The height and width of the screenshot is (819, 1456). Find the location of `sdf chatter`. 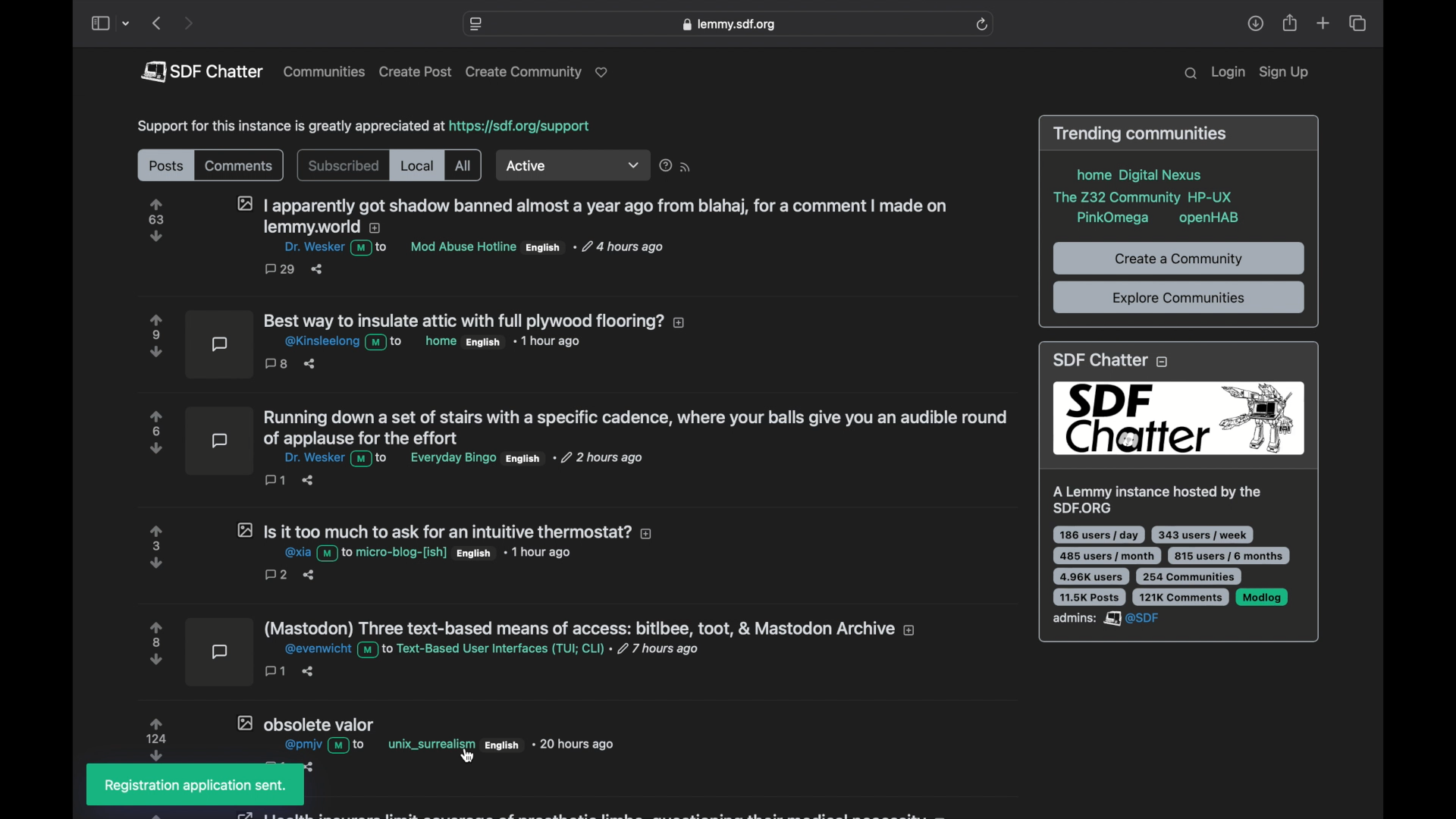

sdf chatter is located at coordinates (1177, 492).